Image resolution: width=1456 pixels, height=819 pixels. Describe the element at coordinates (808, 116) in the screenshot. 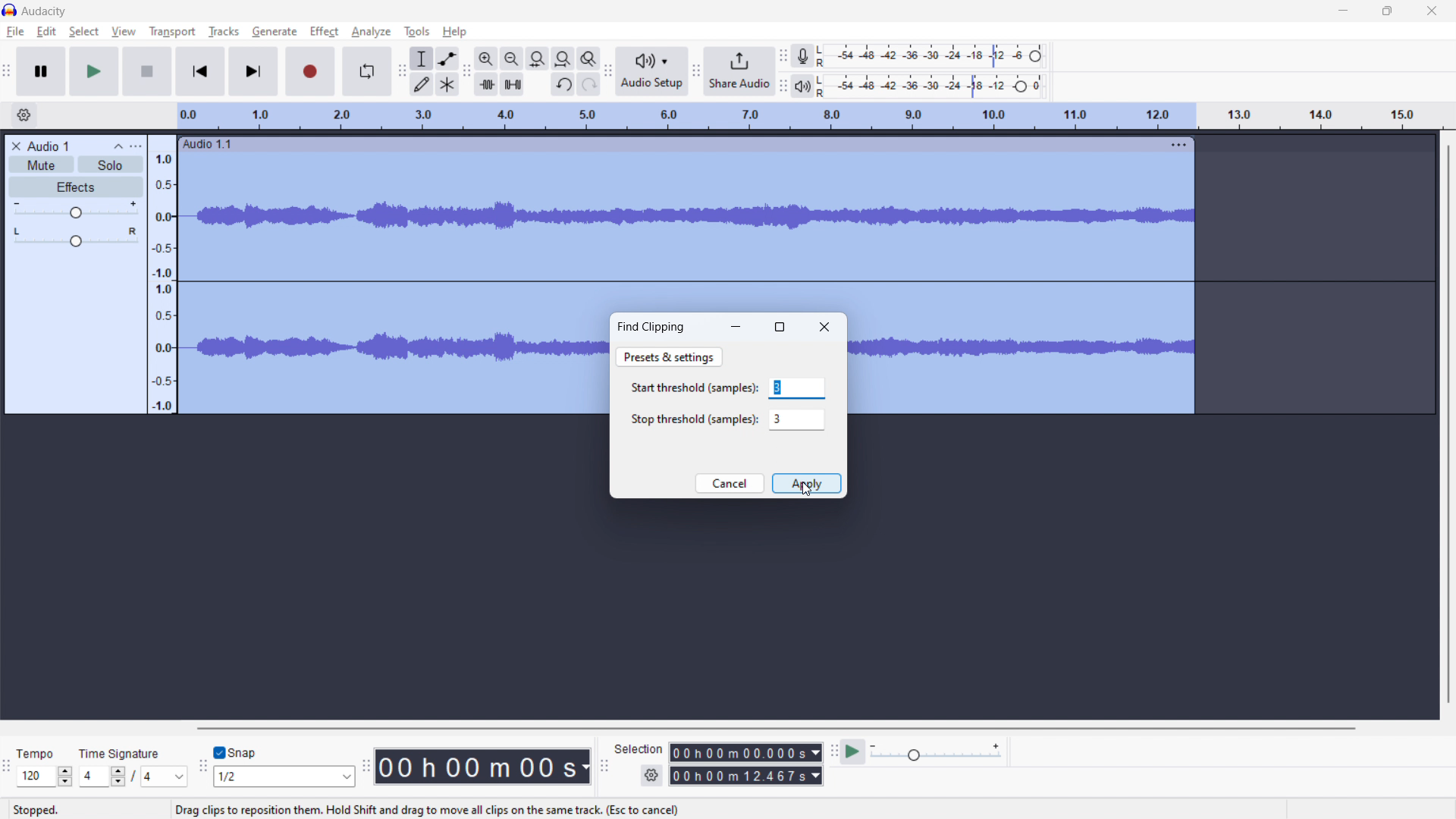

I see `timeline` at that location.